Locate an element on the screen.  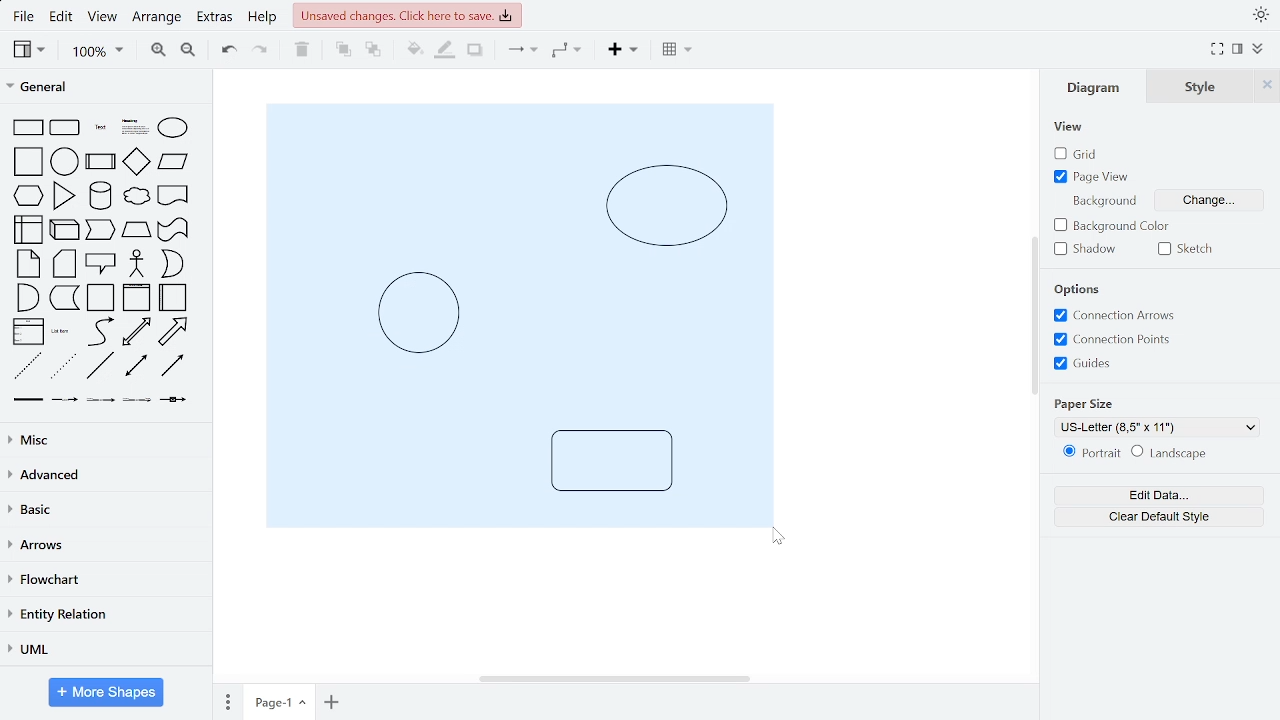
view is located at coordinates (105, 18).